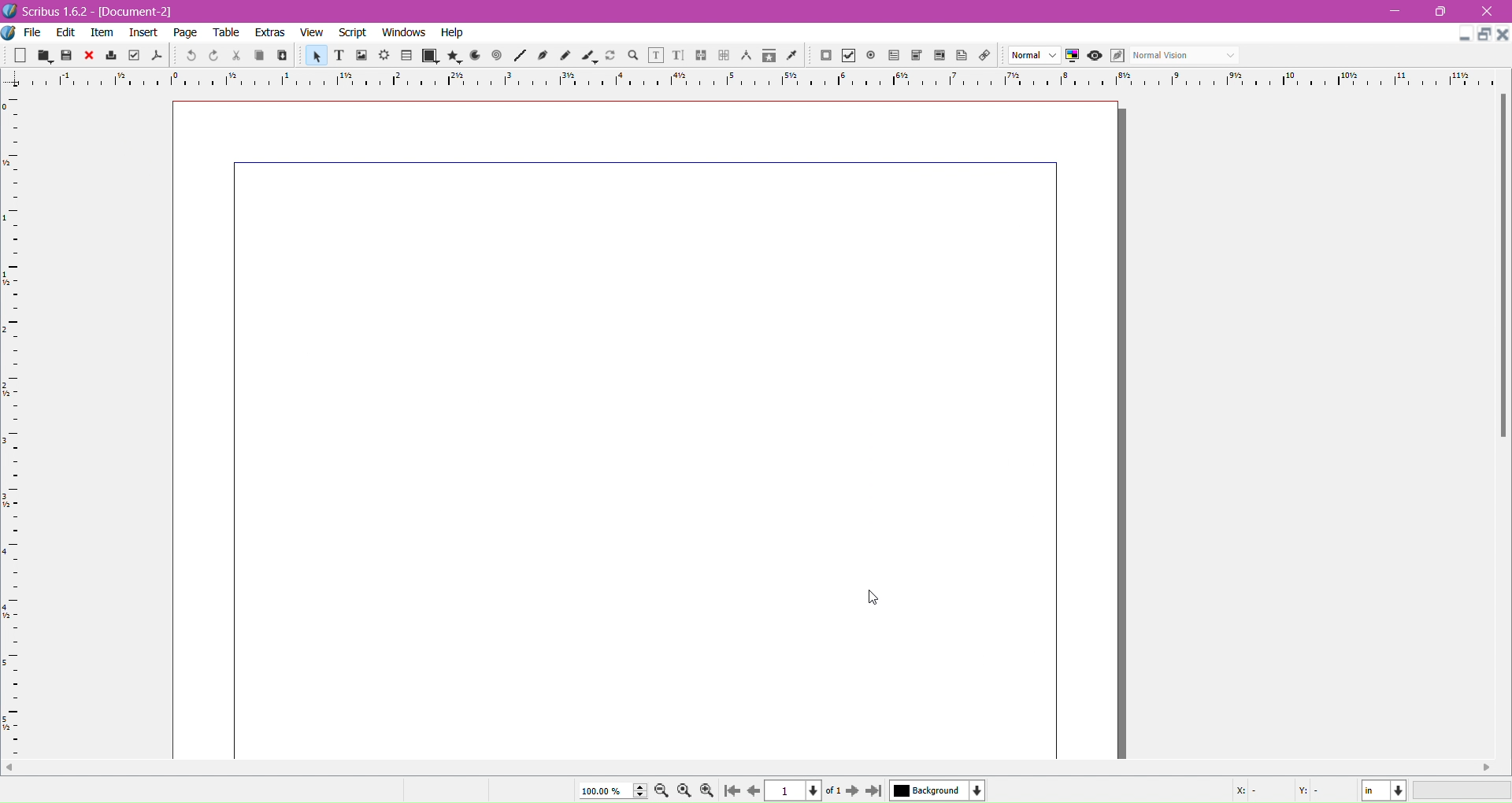 This screenshot has height=803, width=1512. I want to click on add image, so click(363, 56).